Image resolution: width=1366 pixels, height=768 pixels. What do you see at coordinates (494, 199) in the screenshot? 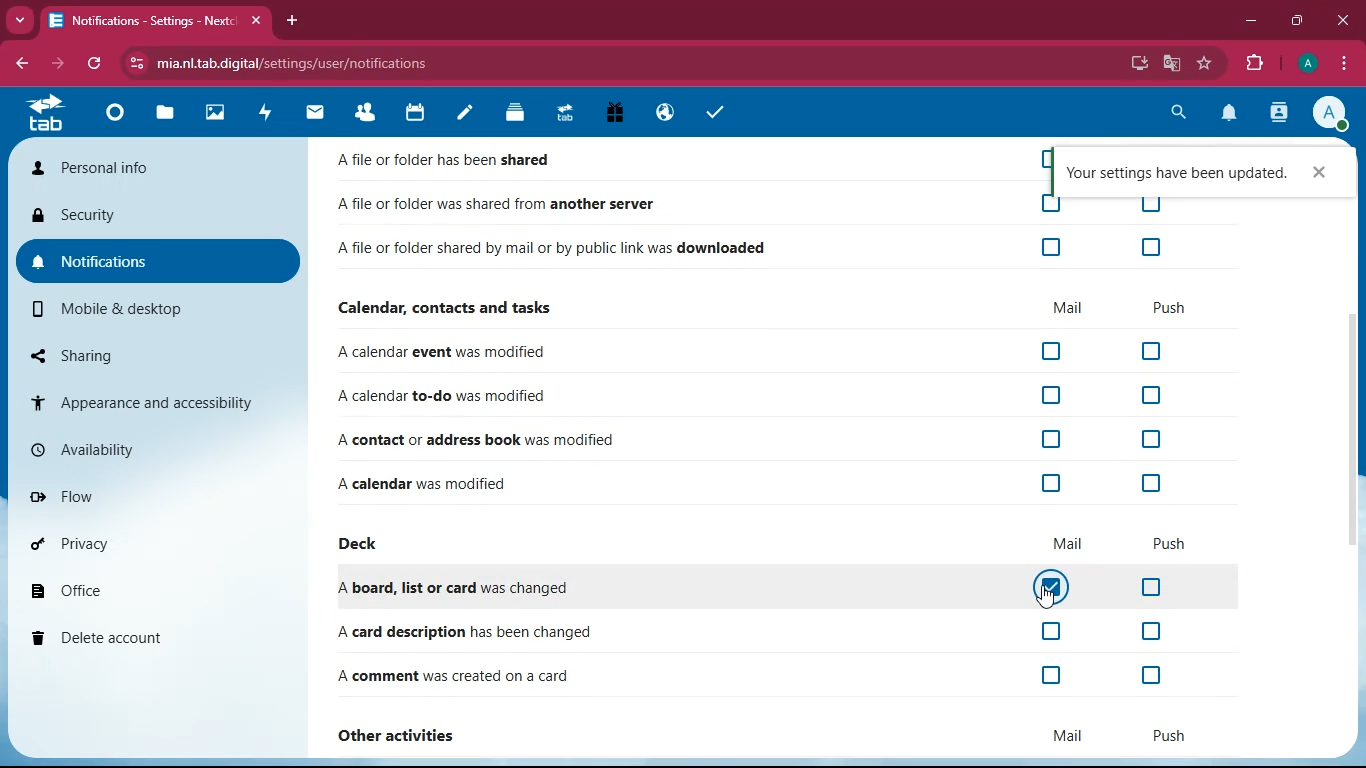
I see `A file or folder was shared from another server` at bounding box center [494, 199].